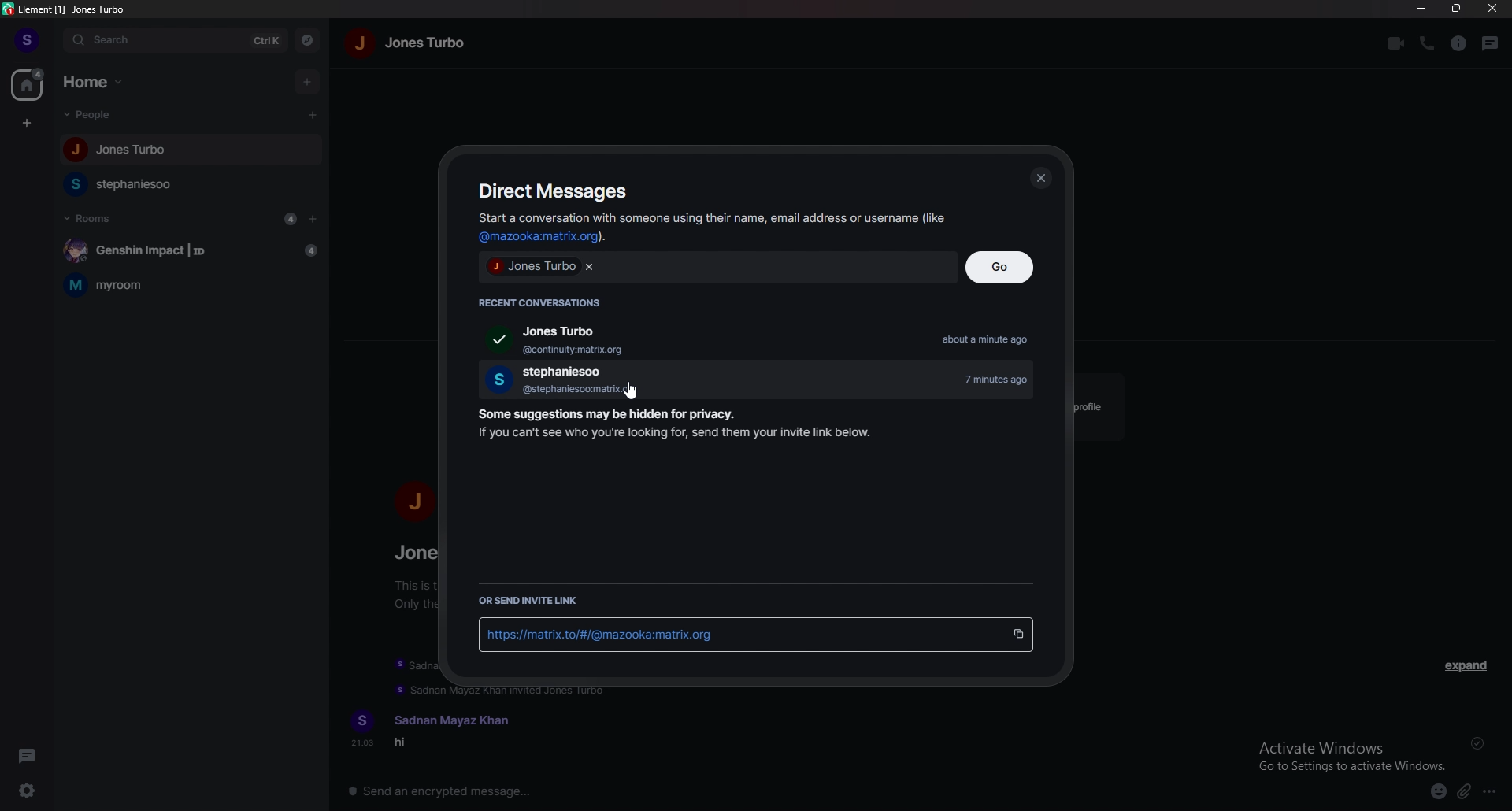  Describe the element at coordinates (412, 746) in the screenshot. I see `hi` at that location.